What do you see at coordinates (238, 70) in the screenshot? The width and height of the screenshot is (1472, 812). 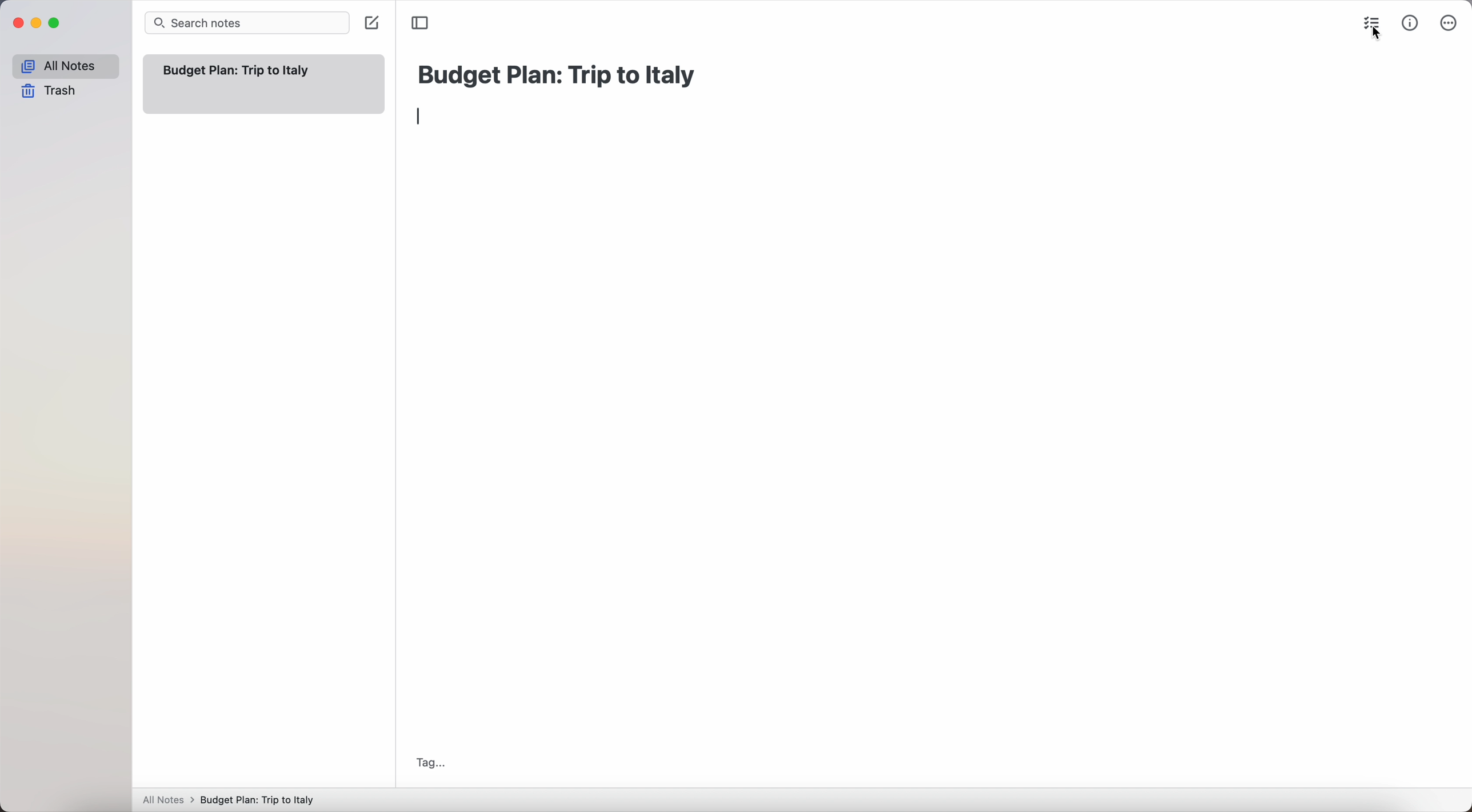 I see `Budget plan trip to Italy note` at bounding box center [238, 70].